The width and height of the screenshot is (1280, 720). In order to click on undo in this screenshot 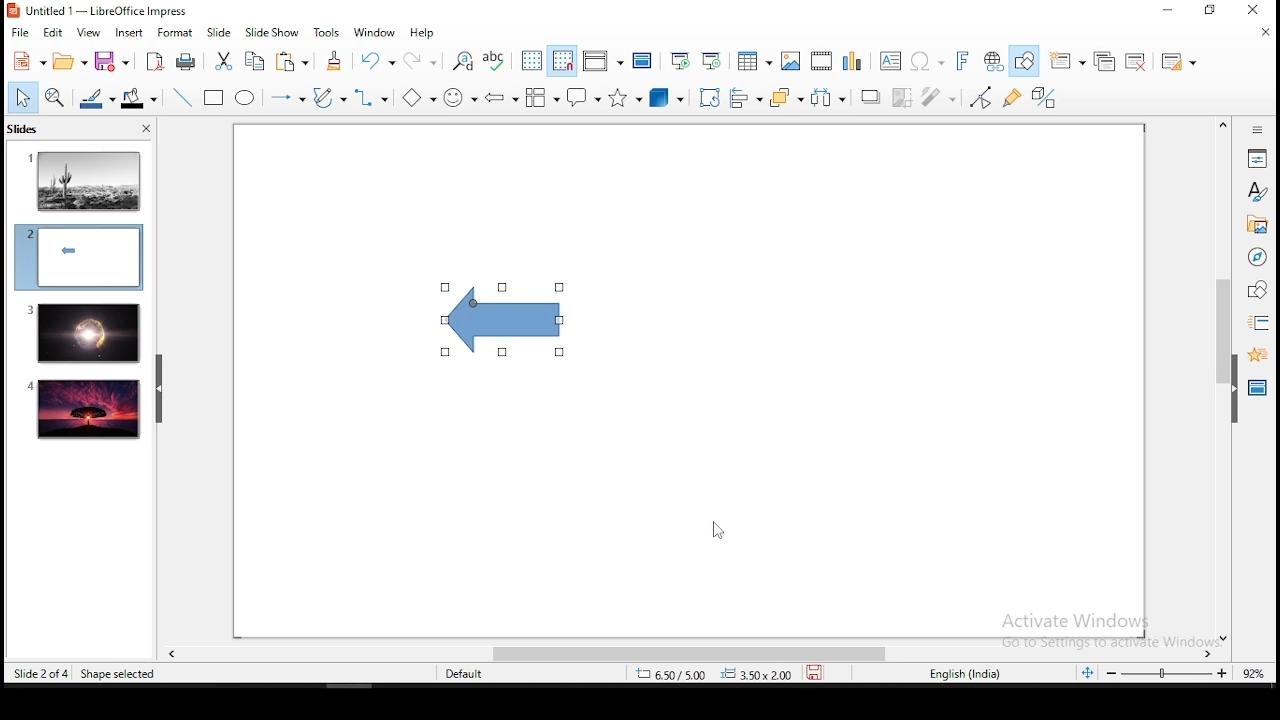, I will do `click(377, 61)`.